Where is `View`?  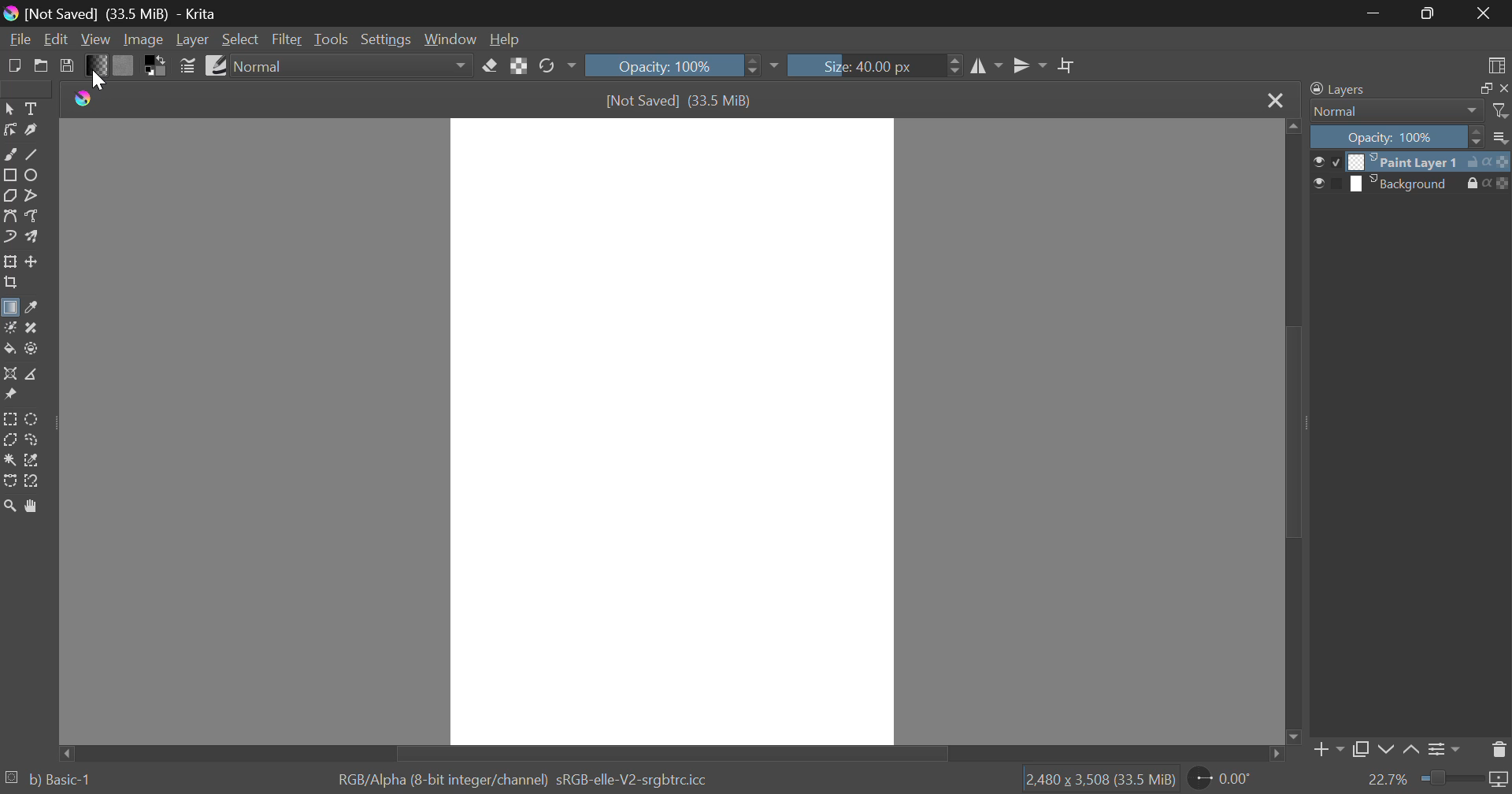 View is located at coordinates (96, 39).